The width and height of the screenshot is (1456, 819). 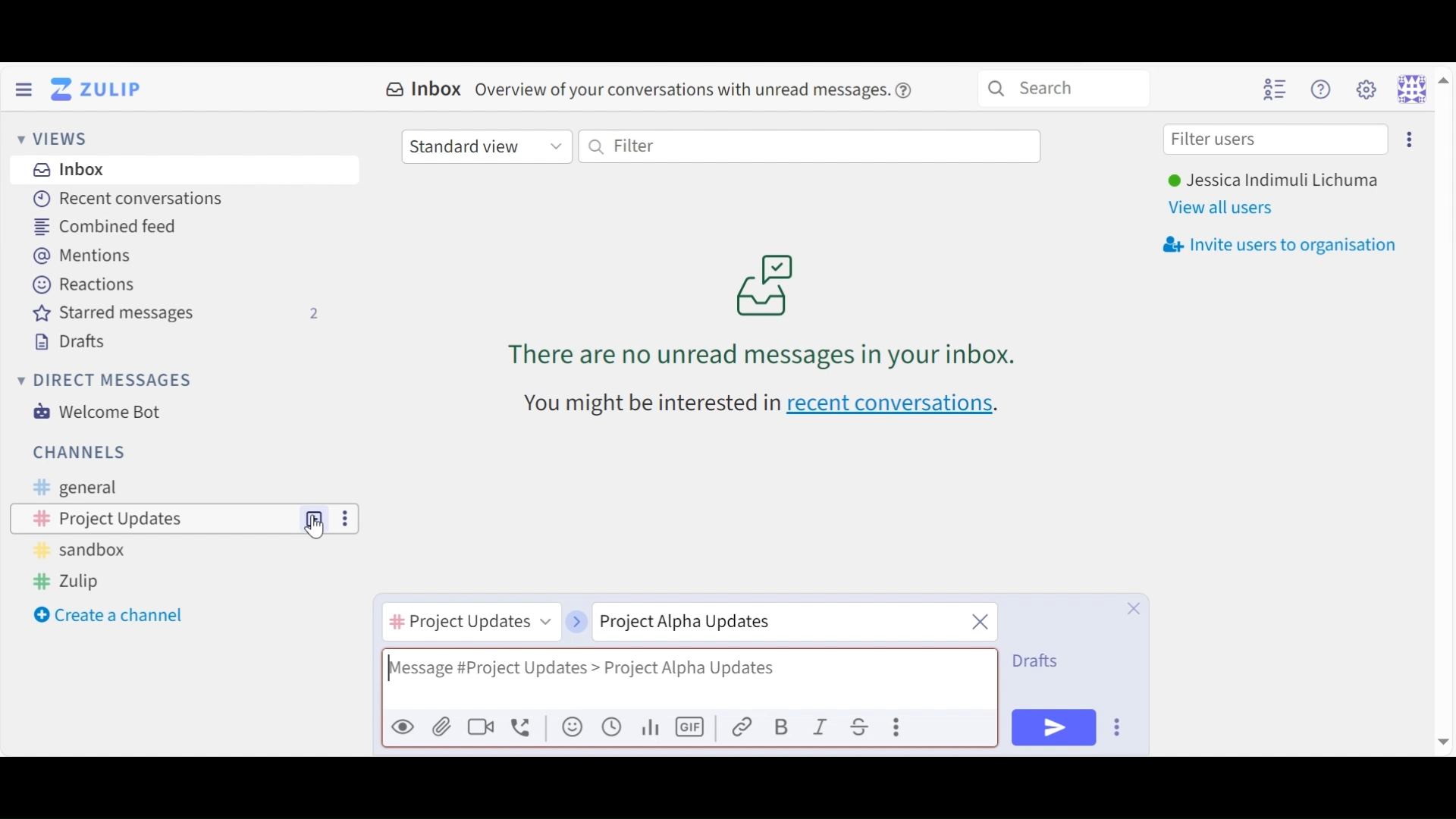 I want to click on Search, so click(x=1063, y=86).